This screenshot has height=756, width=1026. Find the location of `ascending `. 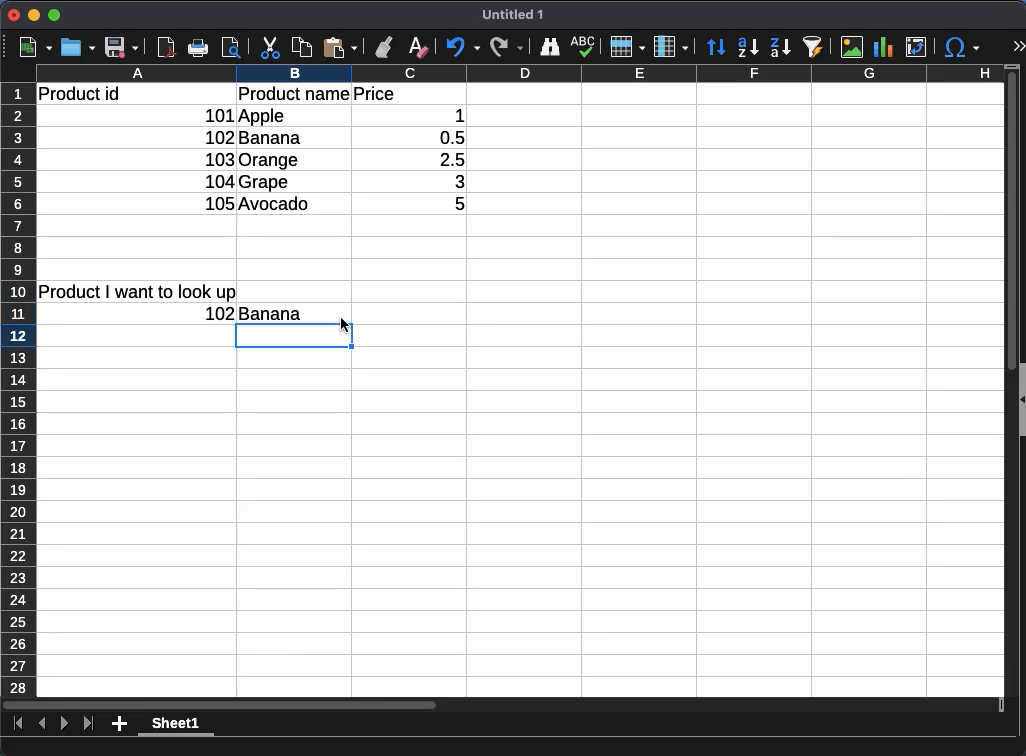

ascending  is located at coordinates (748, 47).